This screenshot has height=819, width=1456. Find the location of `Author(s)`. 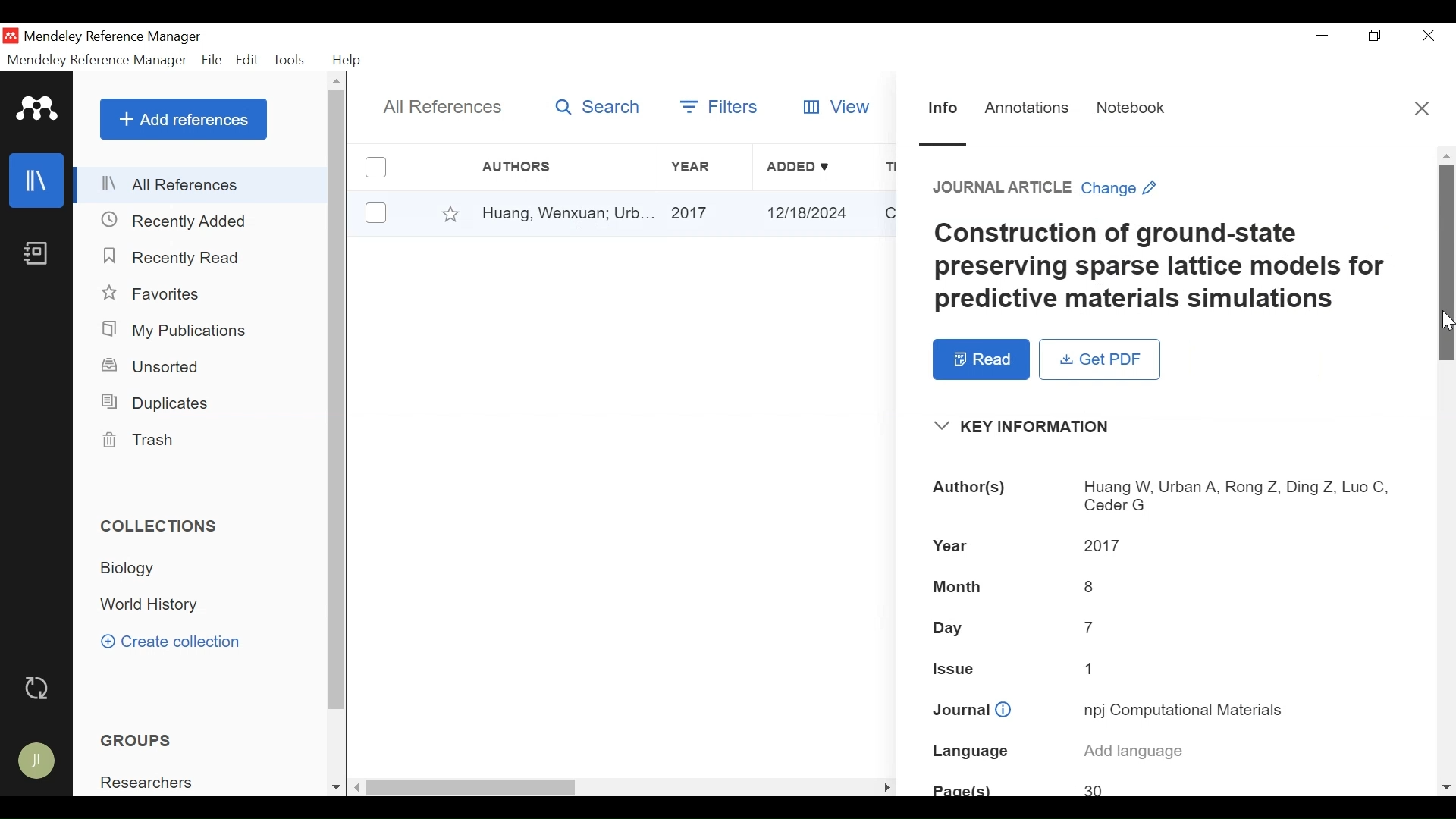

Author(s) is located at coordinates (976, 488).